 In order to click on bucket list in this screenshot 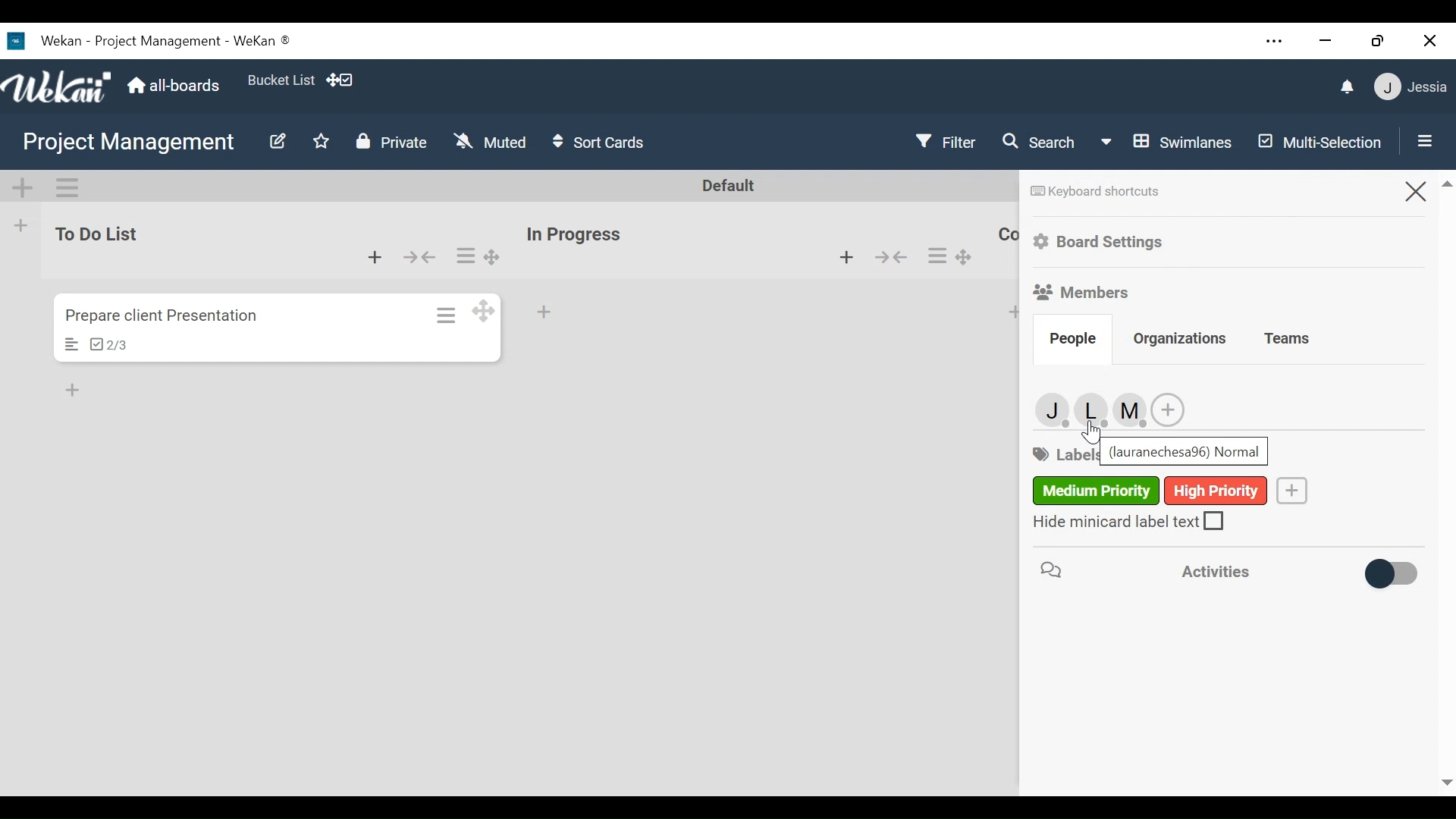, I will do `click(279, 79)`.